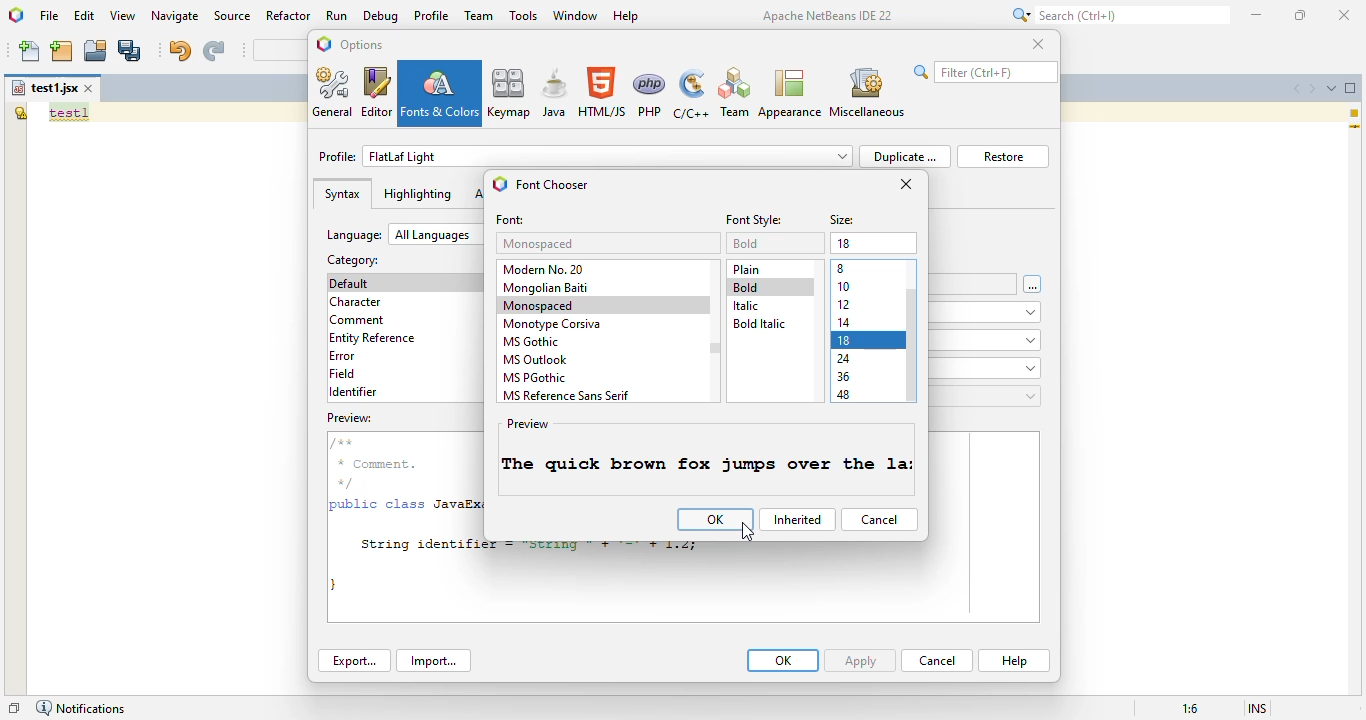 The height and width of the screenshot is (720, 1366). I want to click on logo, so click(324, 43).